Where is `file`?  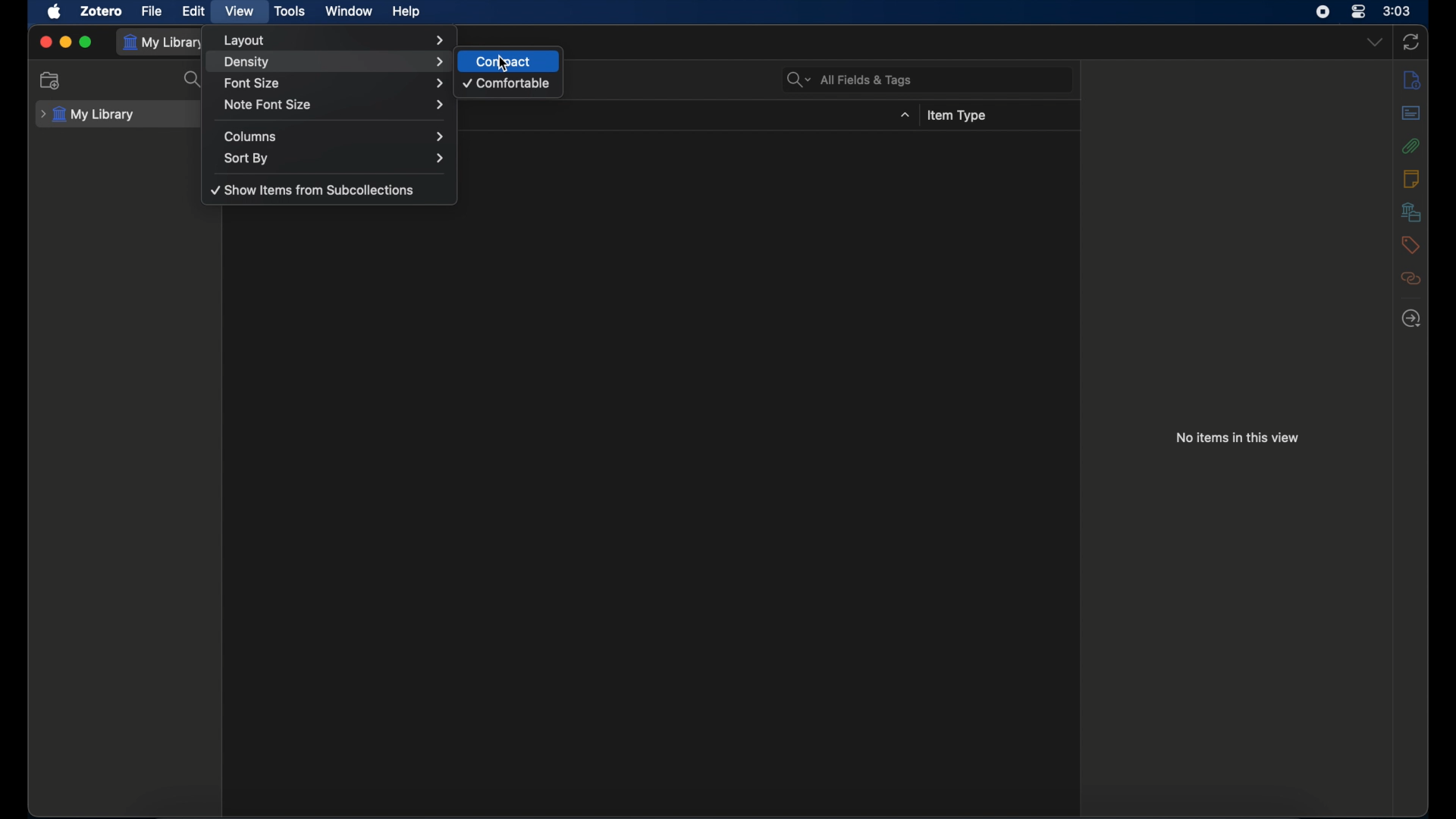 file is located at coordinates (152, 11).